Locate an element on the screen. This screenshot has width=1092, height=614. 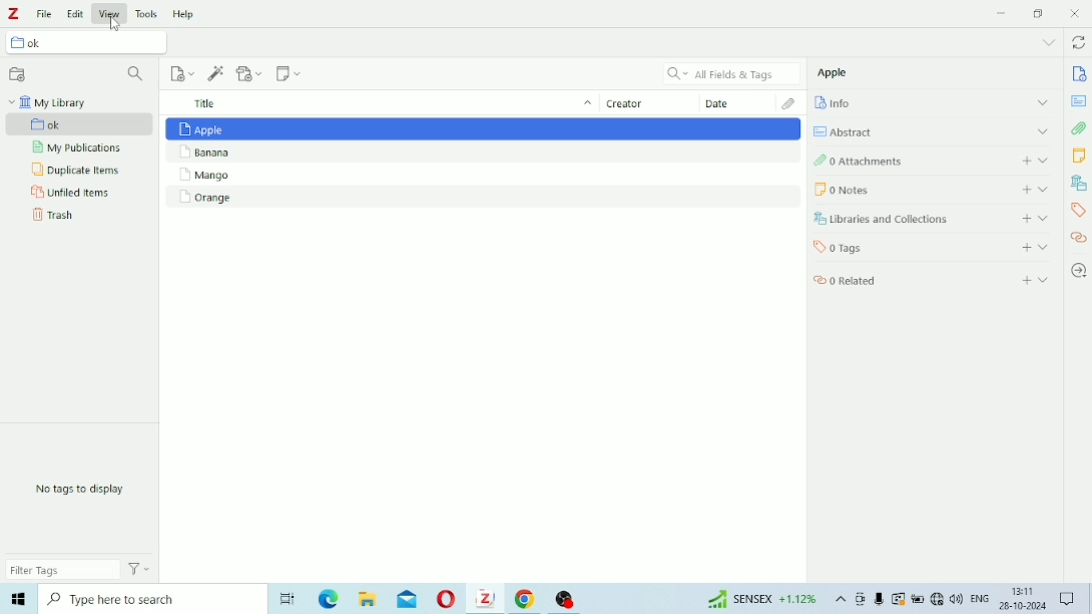
Opera browser is located at coordinates (444, 601).